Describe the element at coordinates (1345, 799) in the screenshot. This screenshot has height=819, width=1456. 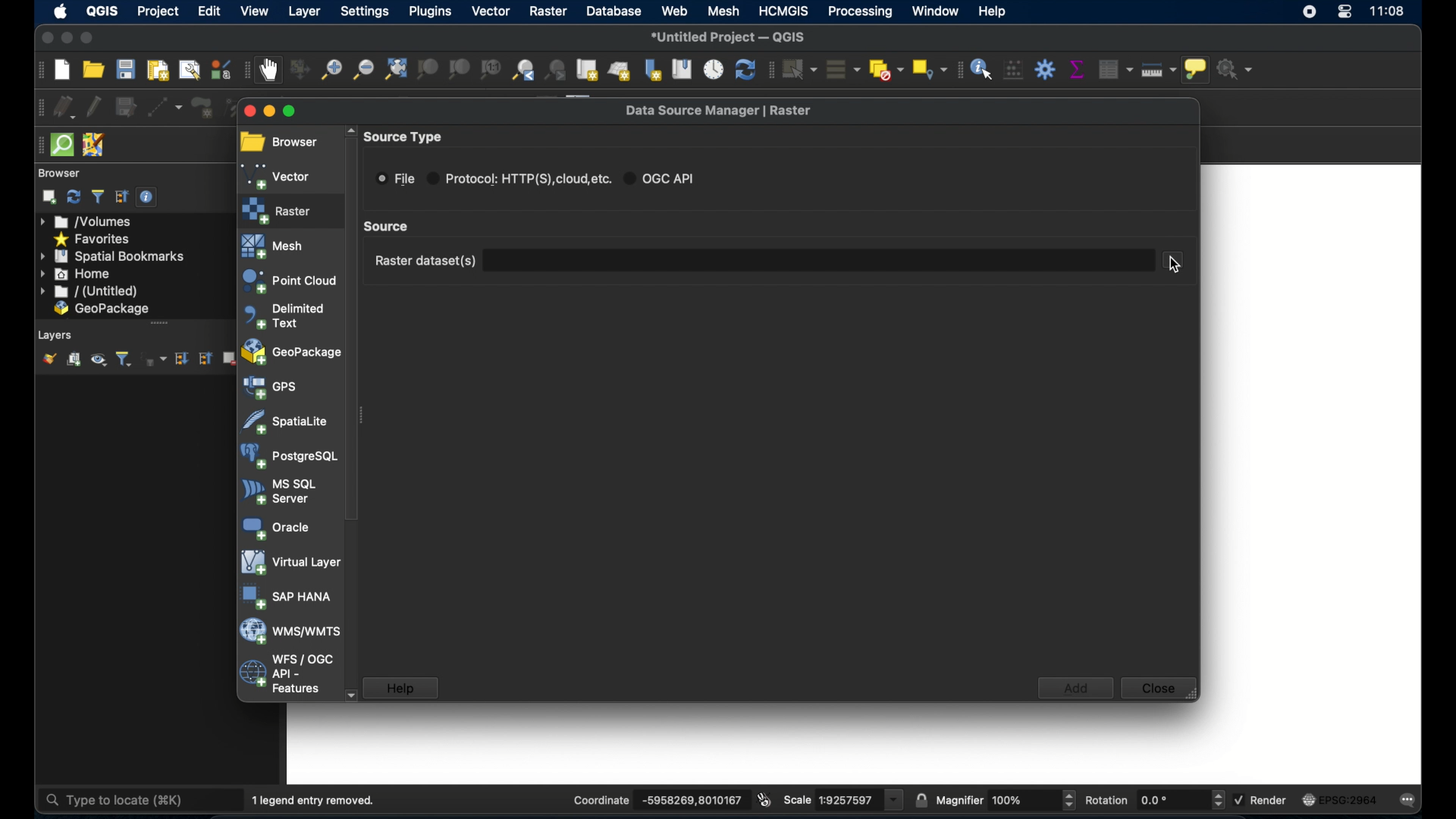
I see `current csr` at that location.